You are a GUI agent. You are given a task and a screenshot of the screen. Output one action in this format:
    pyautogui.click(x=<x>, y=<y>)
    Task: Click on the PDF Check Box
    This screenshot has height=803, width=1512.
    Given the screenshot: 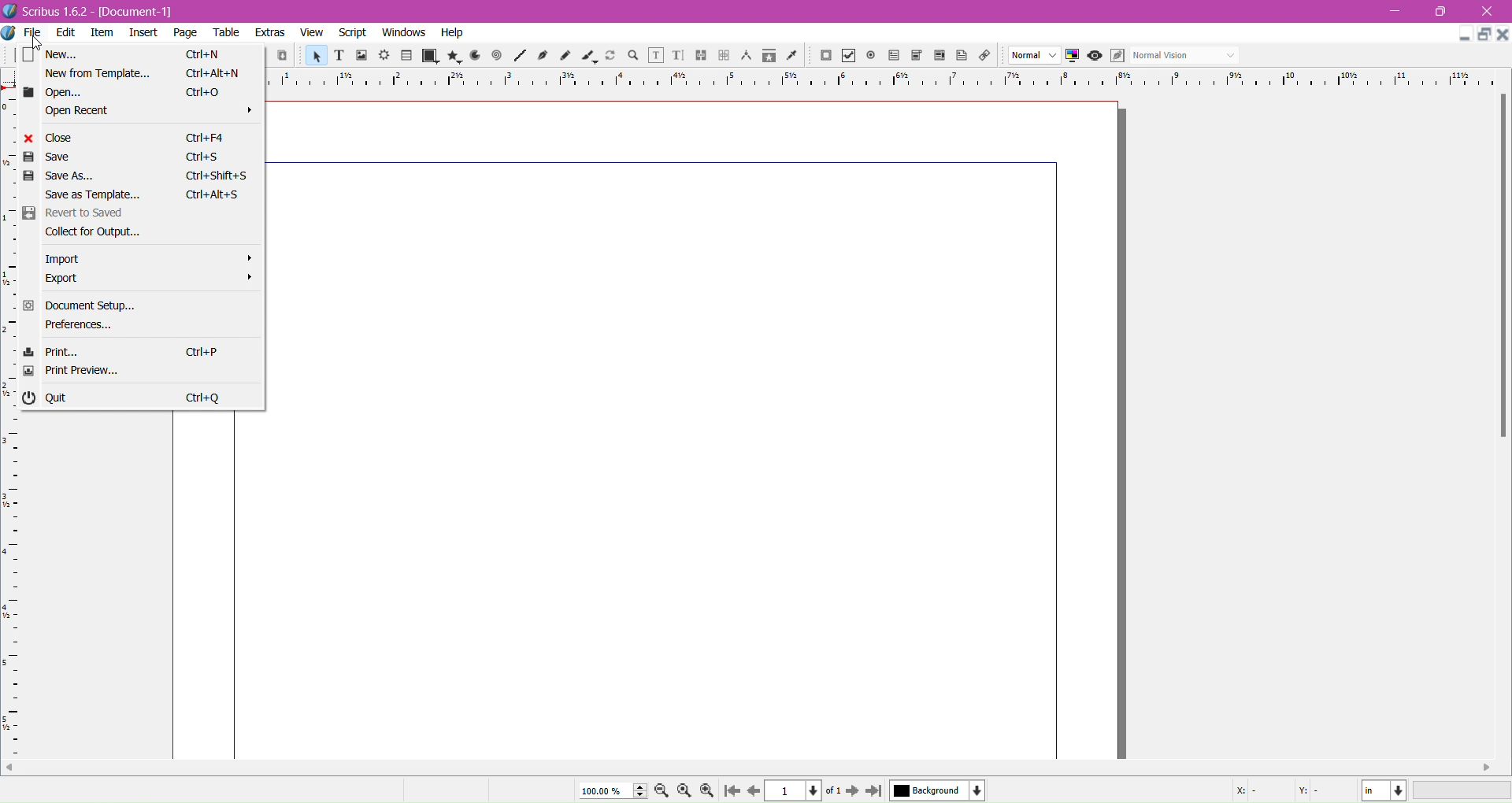 What is the action you would take?
    pyautogui.click(x=848, y=55)
    